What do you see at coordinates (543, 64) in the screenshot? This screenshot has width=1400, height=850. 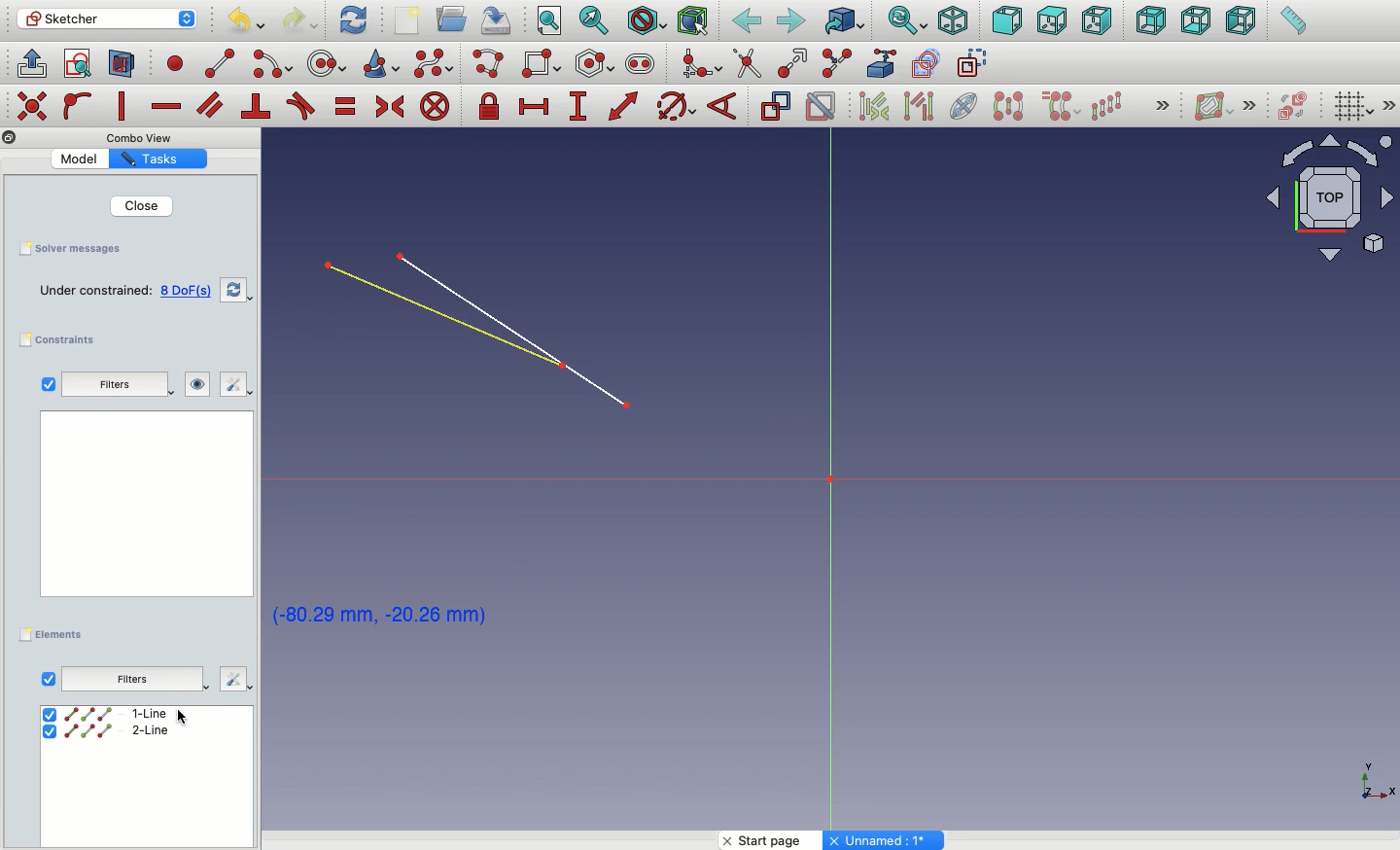 I see `Rectangle` at bounding box center [543, 64].